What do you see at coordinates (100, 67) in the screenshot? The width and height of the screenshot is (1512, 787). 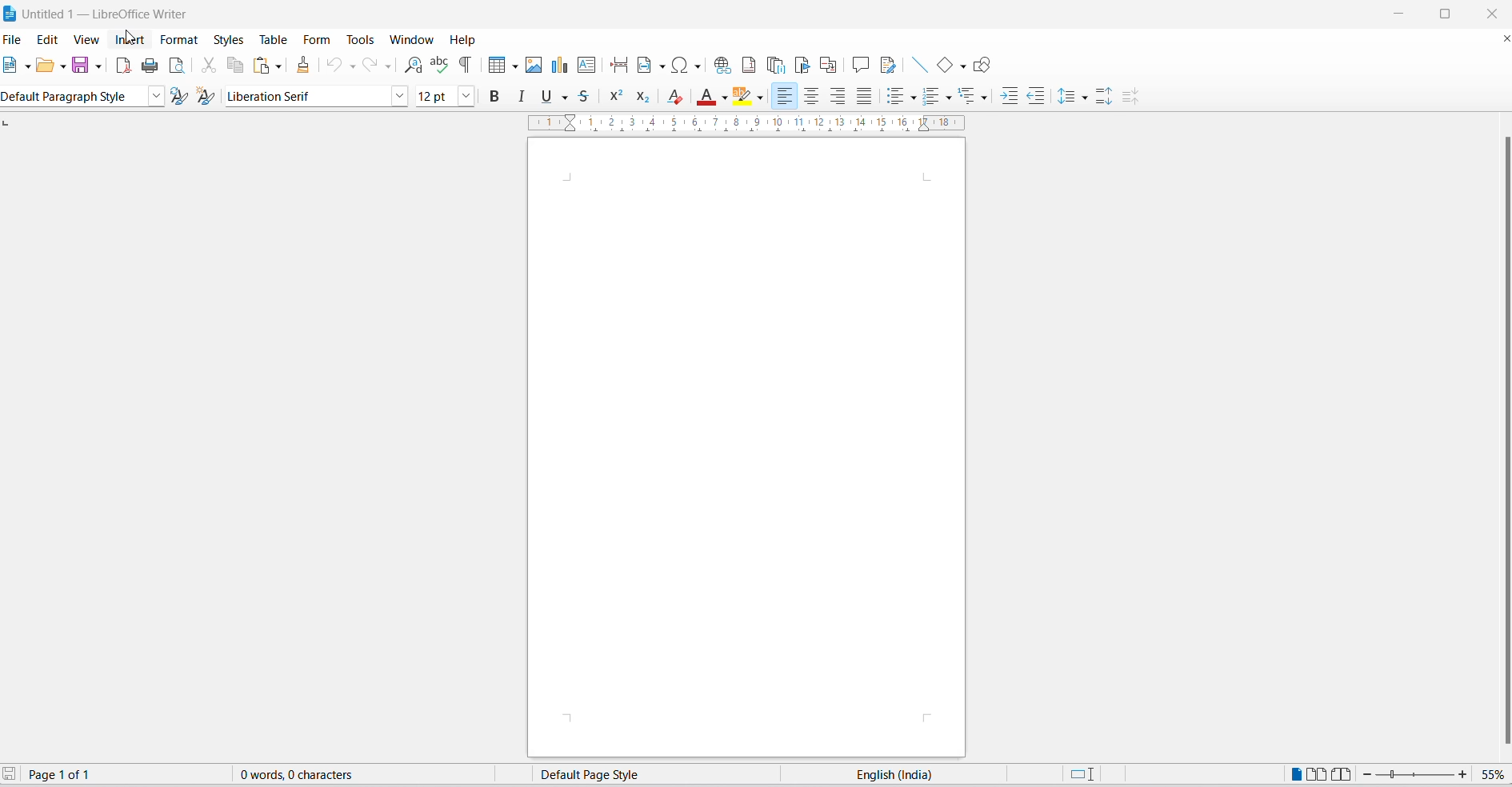 I see `save options` at bounding box center [100, 67].